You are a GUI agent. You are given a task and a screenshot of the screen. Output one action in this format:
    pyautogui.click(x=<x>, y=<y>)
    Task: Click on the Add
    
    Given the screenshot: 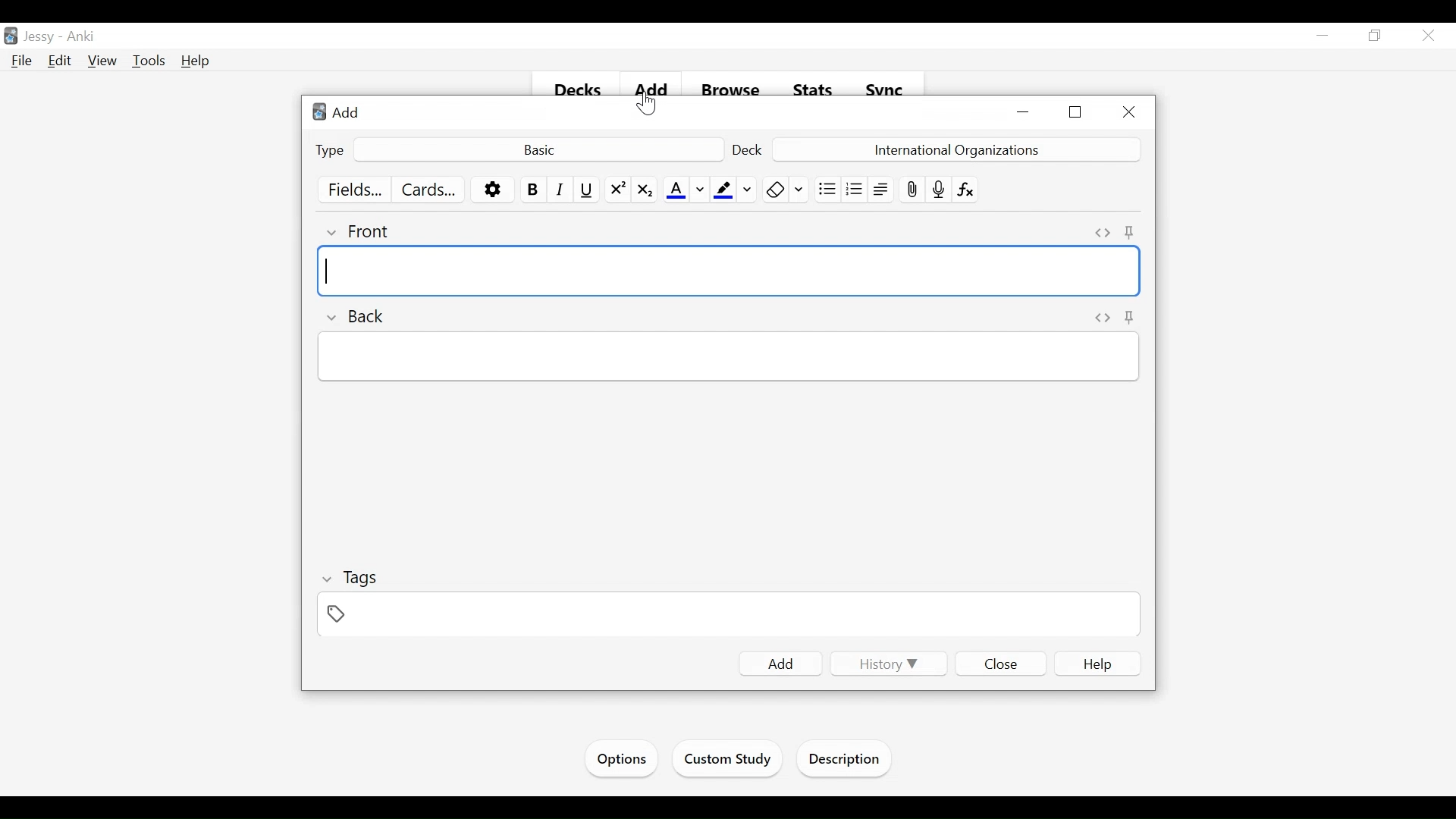 What is the action you would take?
    pyautogui.click(x=347, y=113)
    